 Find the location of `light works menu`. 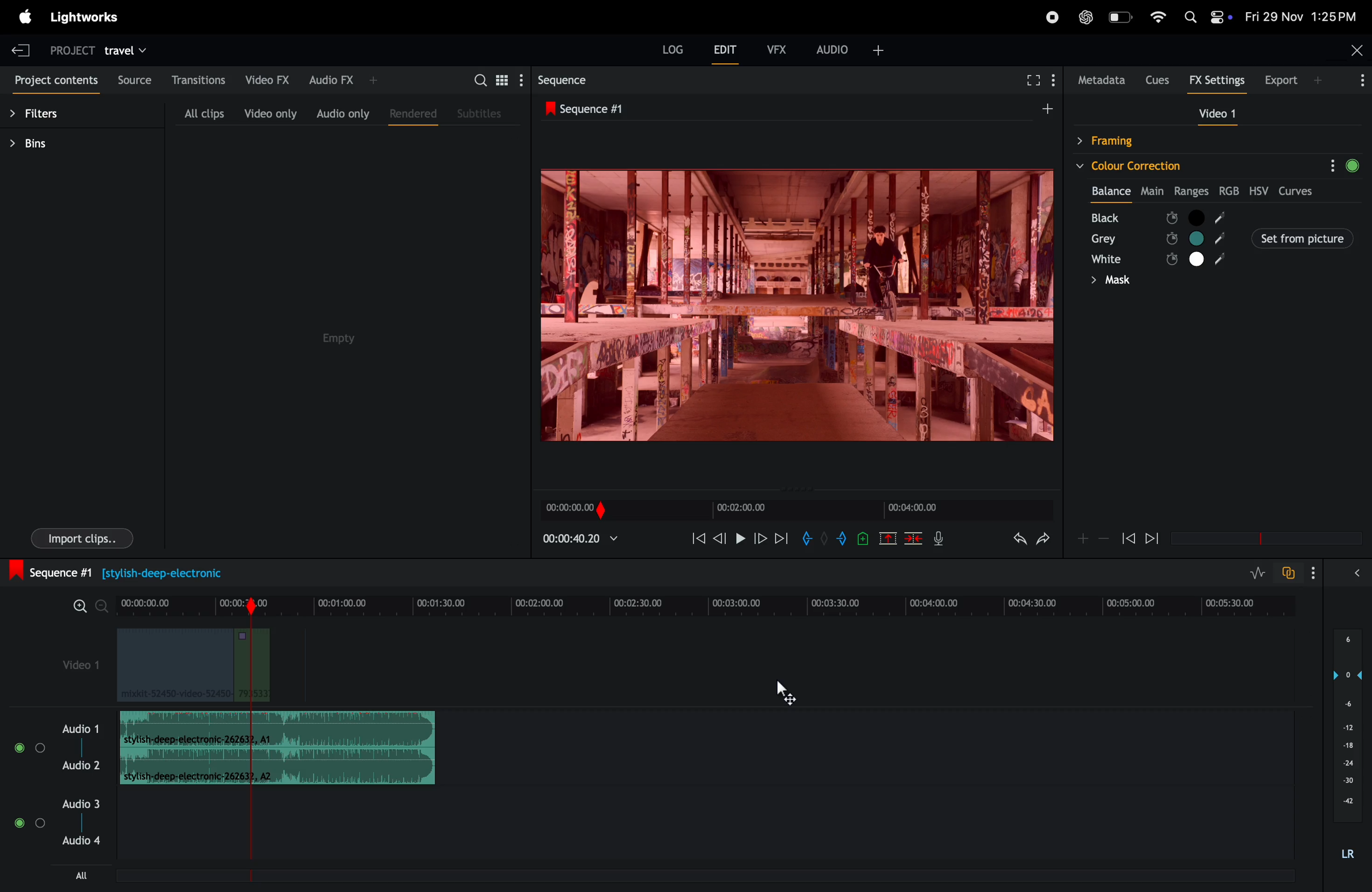

light works menu is located at coordinates (87, 16).